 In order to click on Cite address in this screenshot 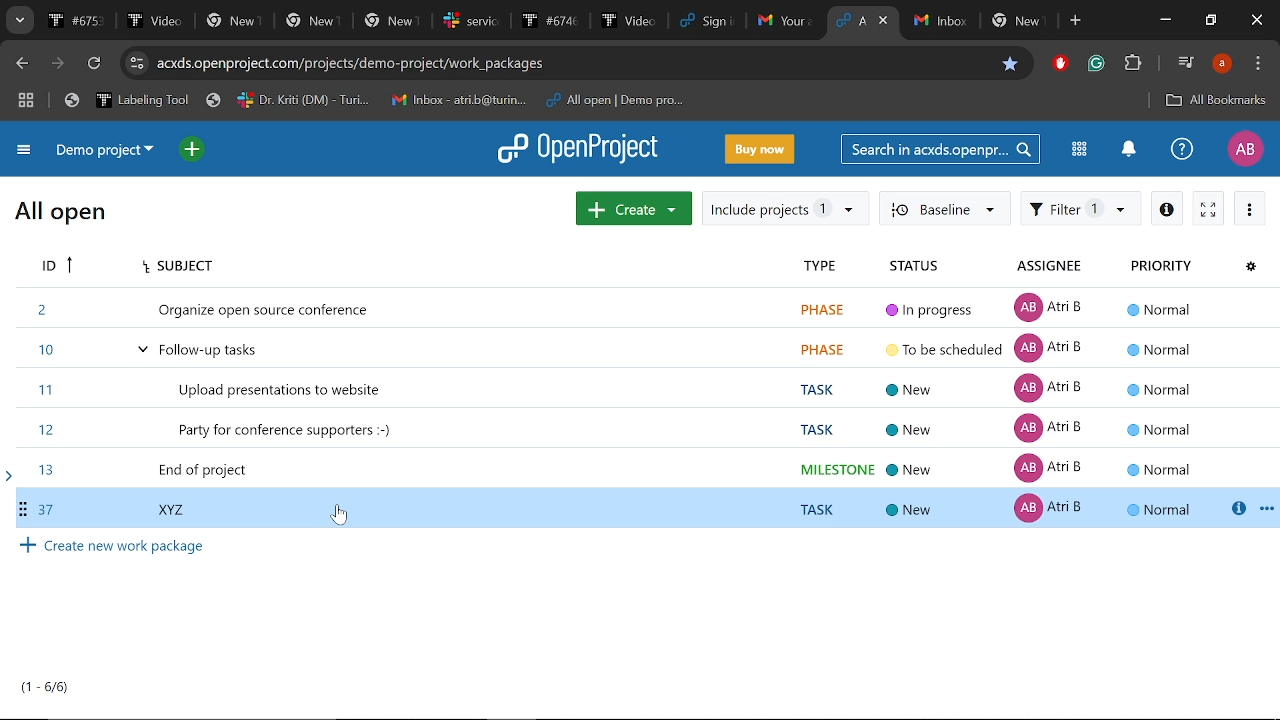, I will do `click(352, 65)`.